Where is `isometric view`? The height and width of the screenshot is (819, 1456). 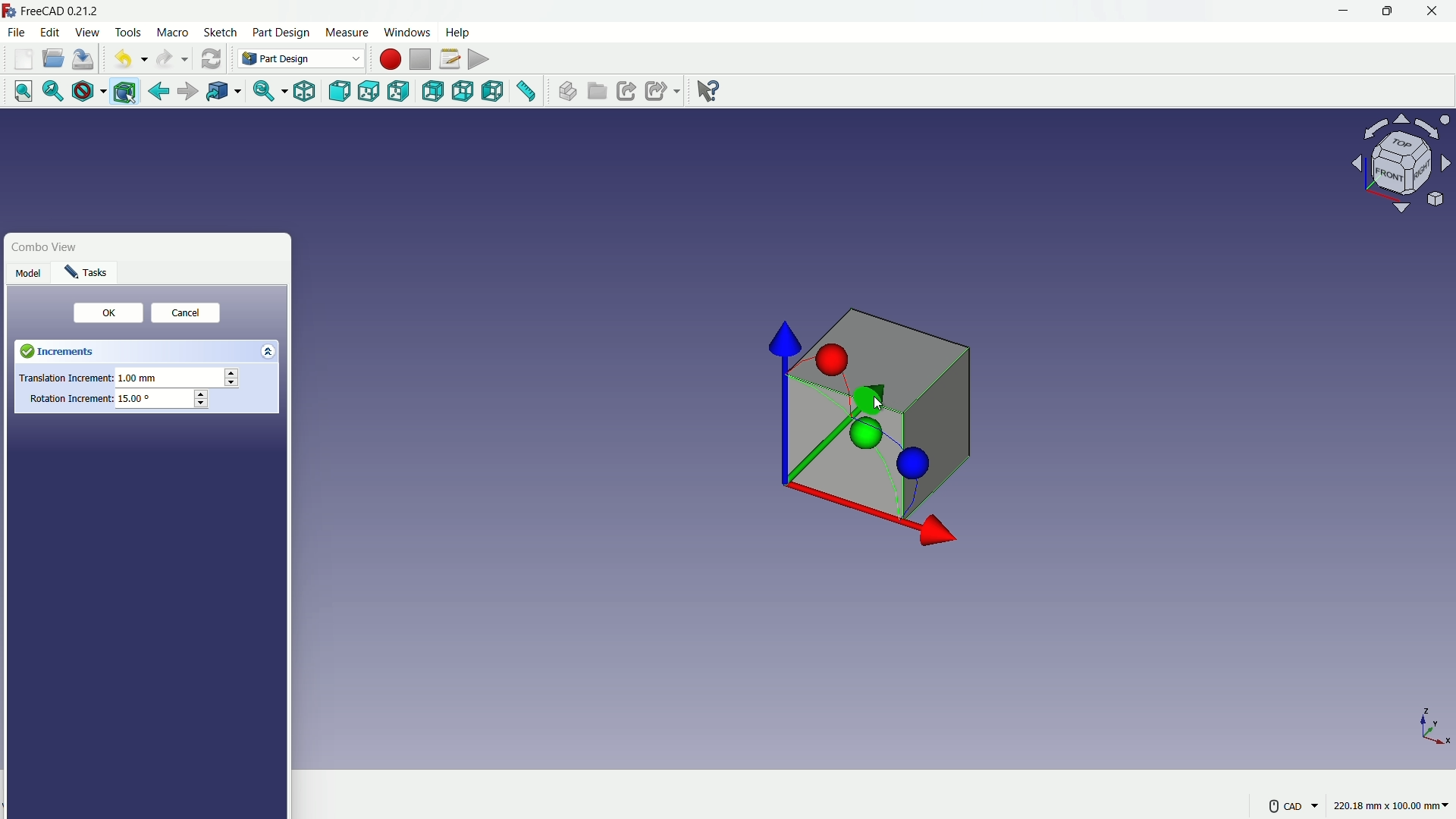
isometric view is located at coordinates (304, 93).